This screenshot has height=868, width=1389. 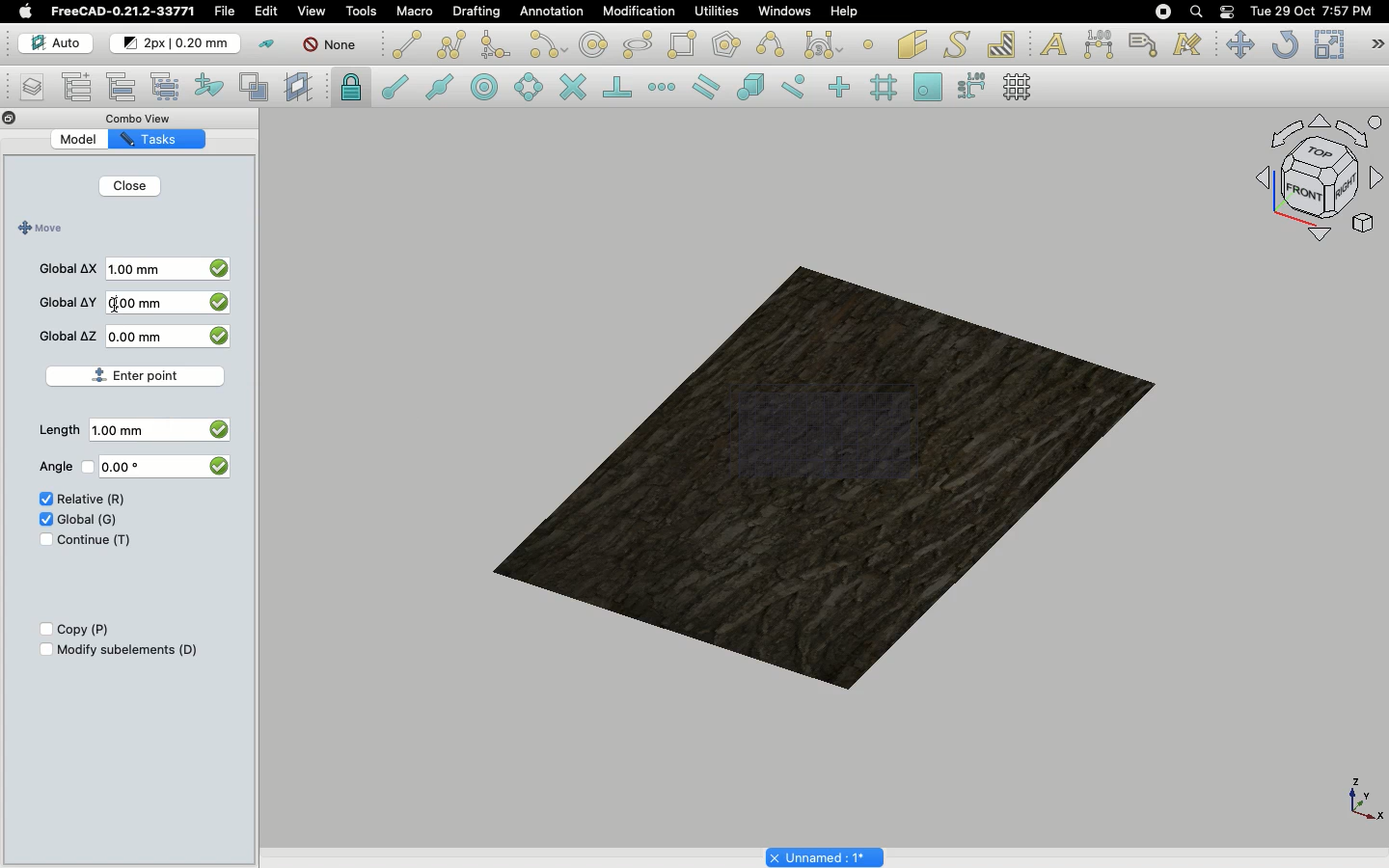 I want to click on 0.00 mm, so click(x=145, y=303).